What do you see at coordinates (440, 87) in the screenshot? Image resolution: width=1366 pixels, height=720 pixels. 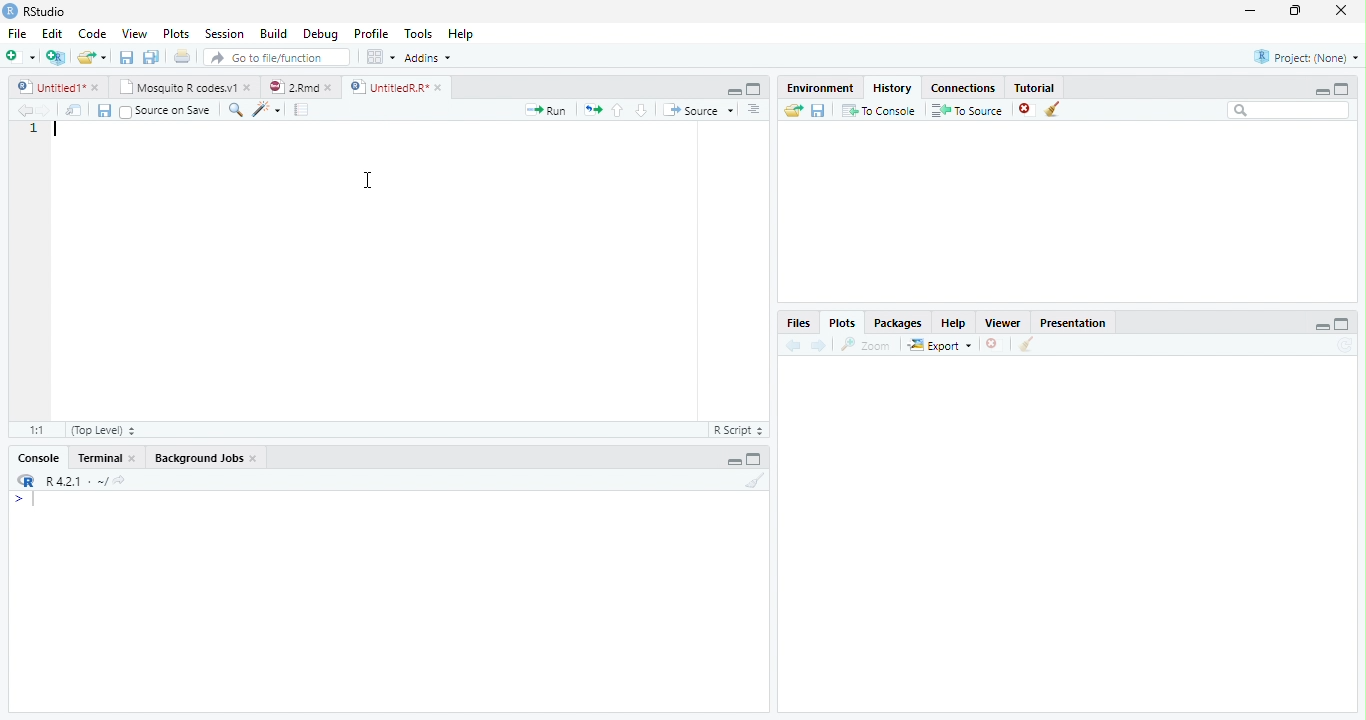 I see `close` at bounding box center [440, 87].